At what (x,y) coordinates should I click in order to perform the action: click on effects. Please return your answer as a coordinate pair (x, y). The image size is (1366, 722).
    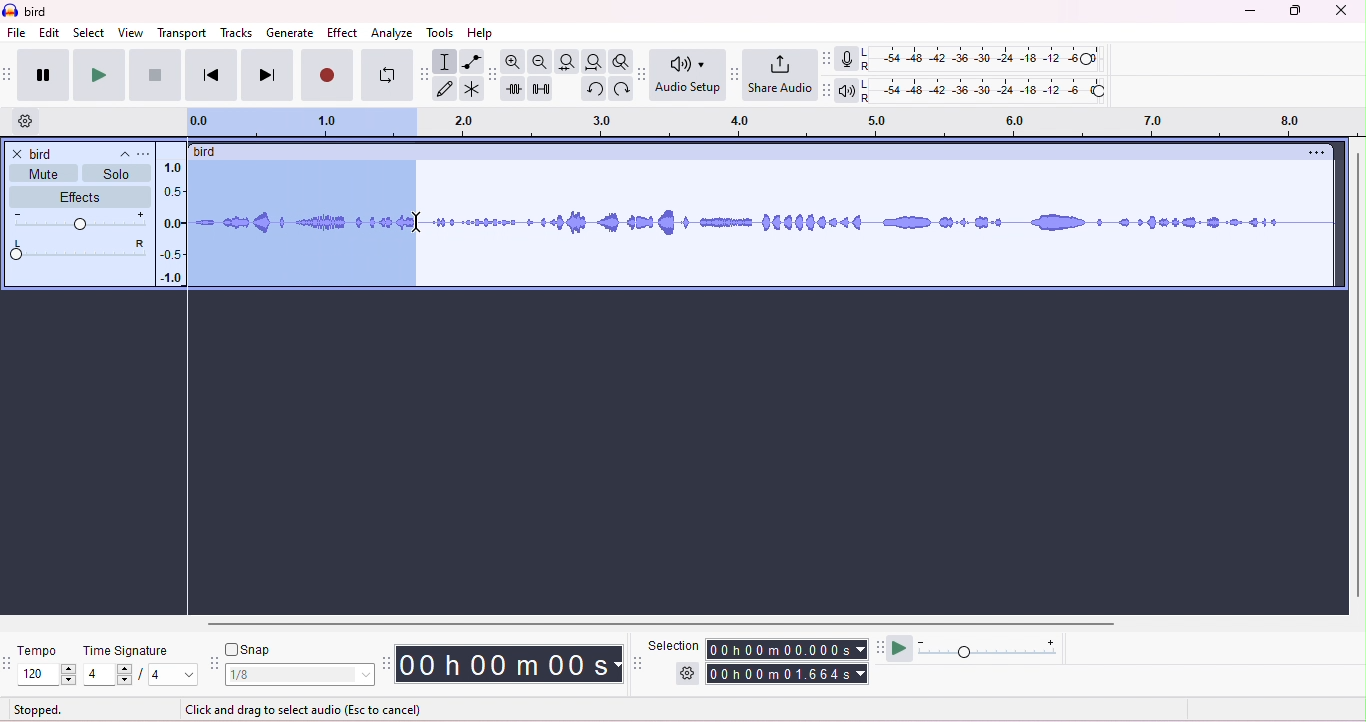
    Looking at the image, I should click on (78, 197).